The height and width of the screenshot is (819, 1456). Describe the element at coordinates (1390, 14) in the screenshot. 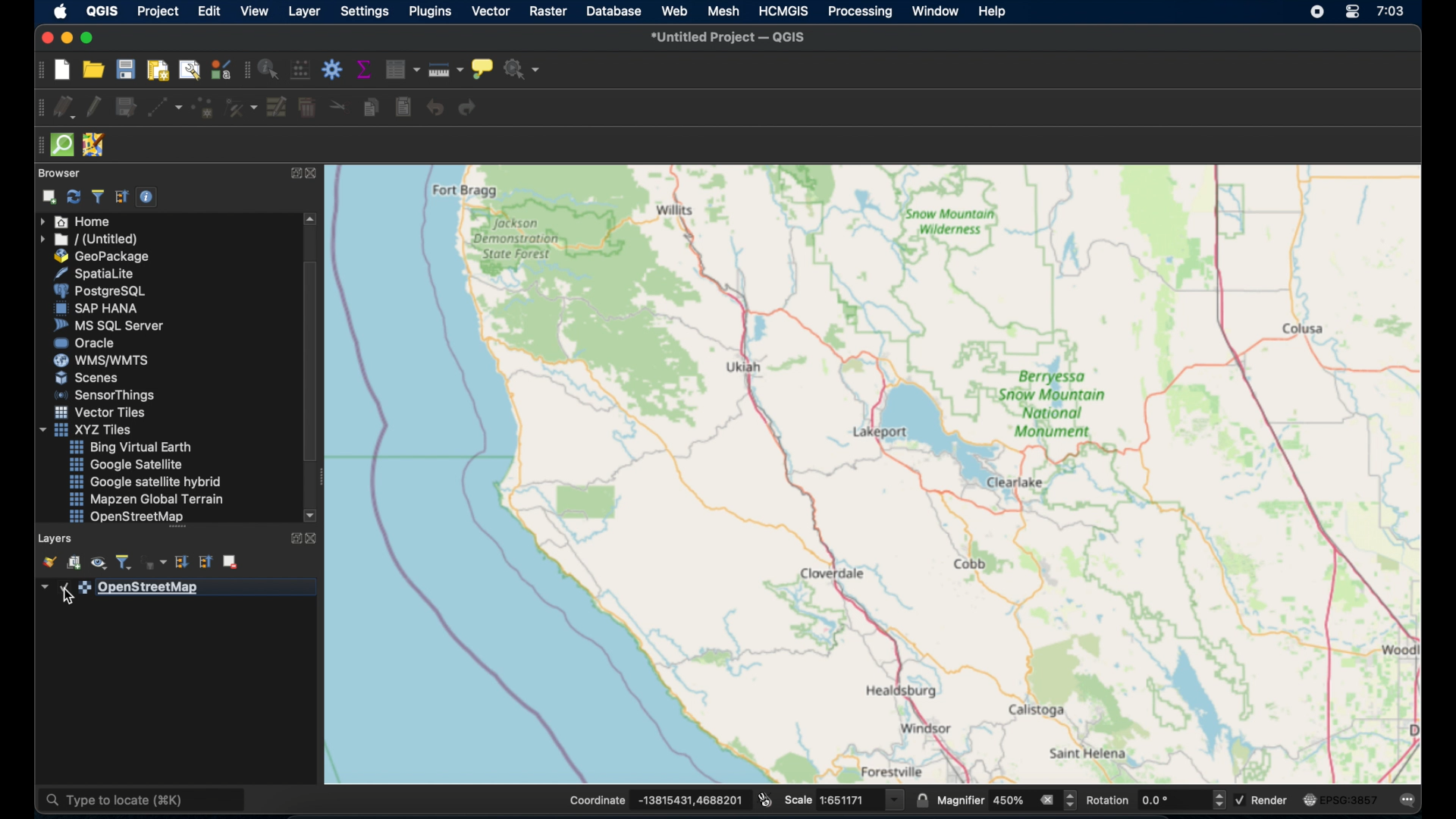

I see `time` at that location.